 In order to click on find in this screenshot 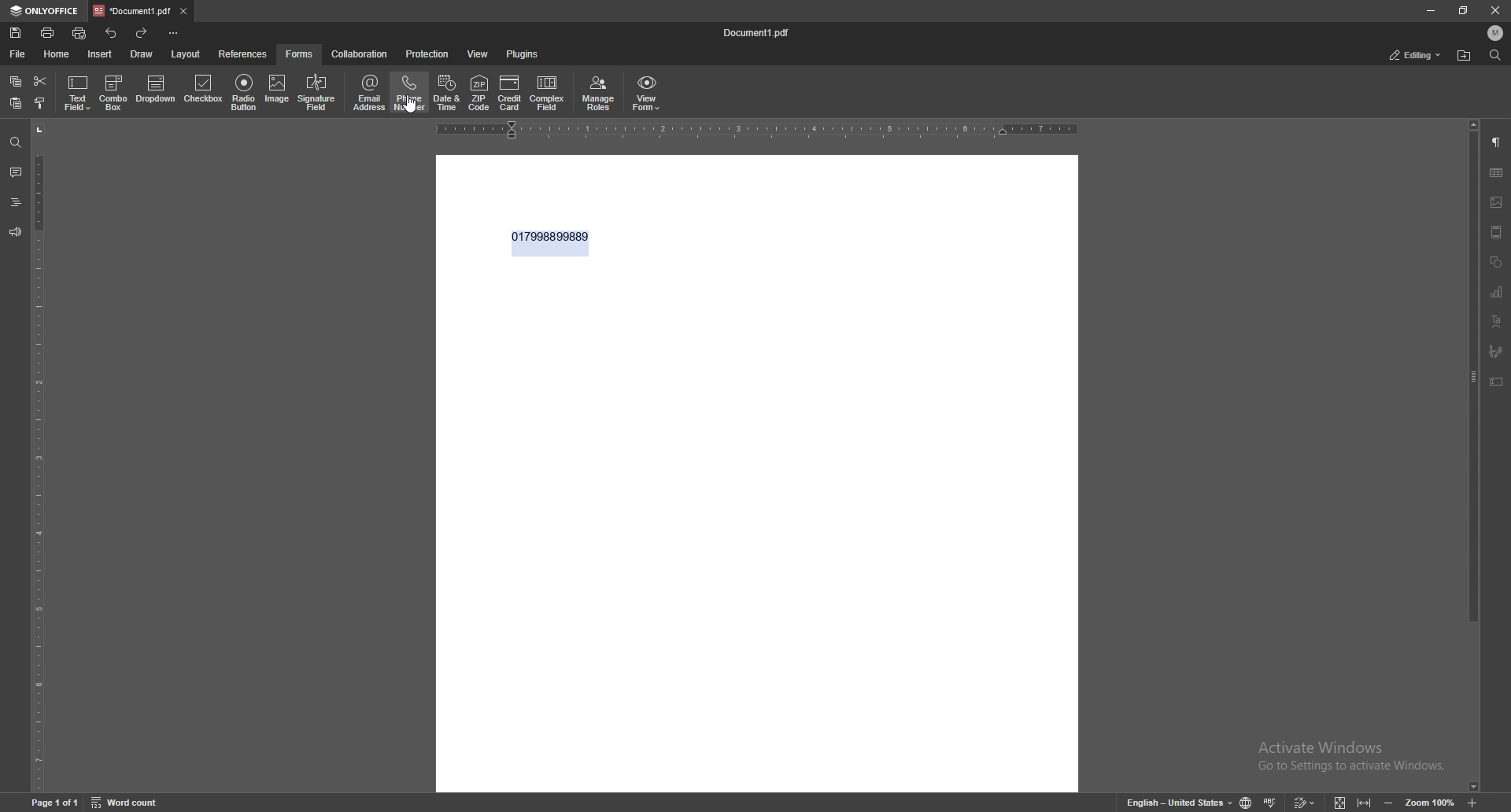, I will do `click(1496, 56)`.